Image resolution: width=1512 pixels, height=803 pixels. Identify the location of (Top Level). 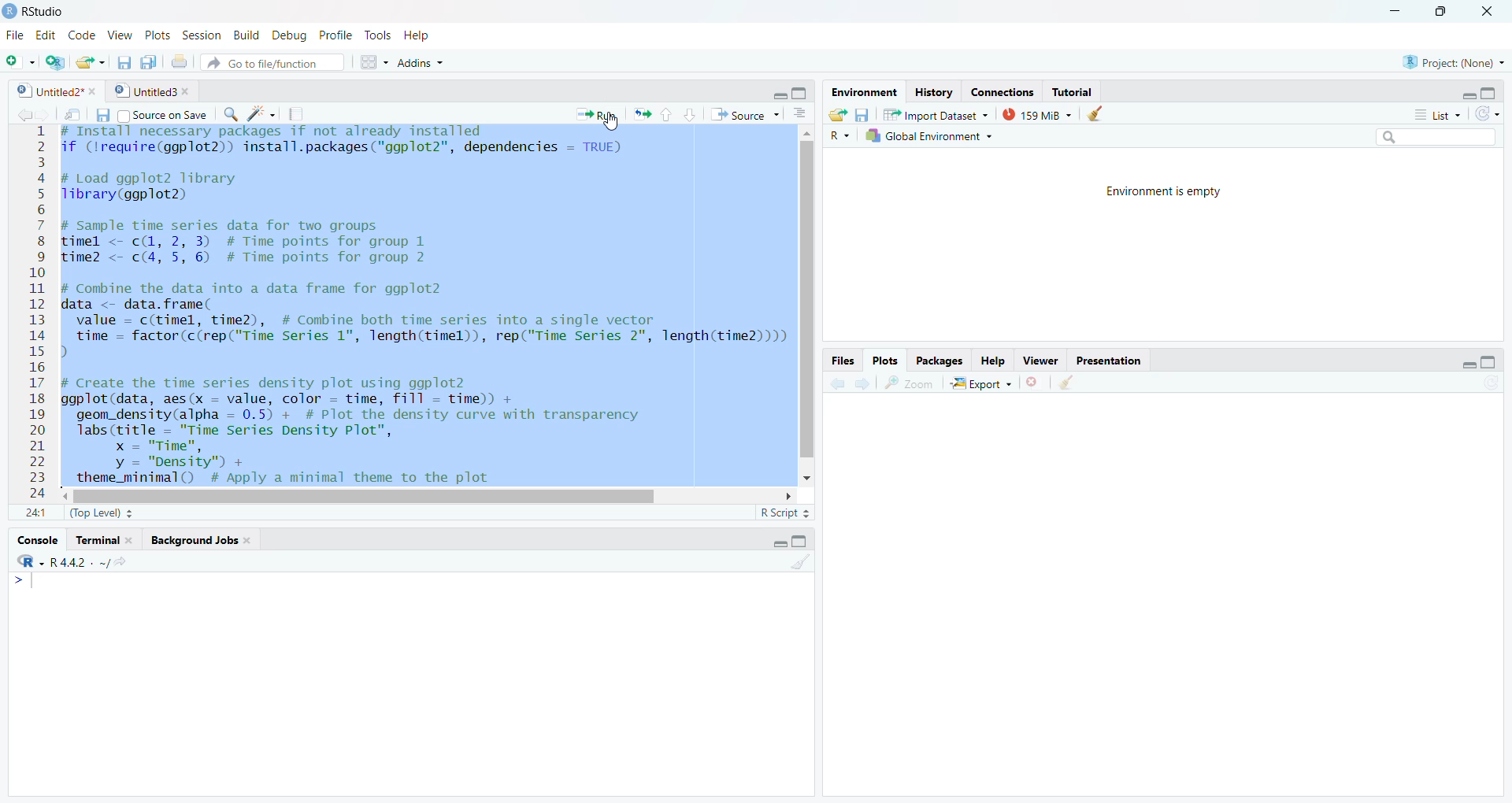
(100, 513).